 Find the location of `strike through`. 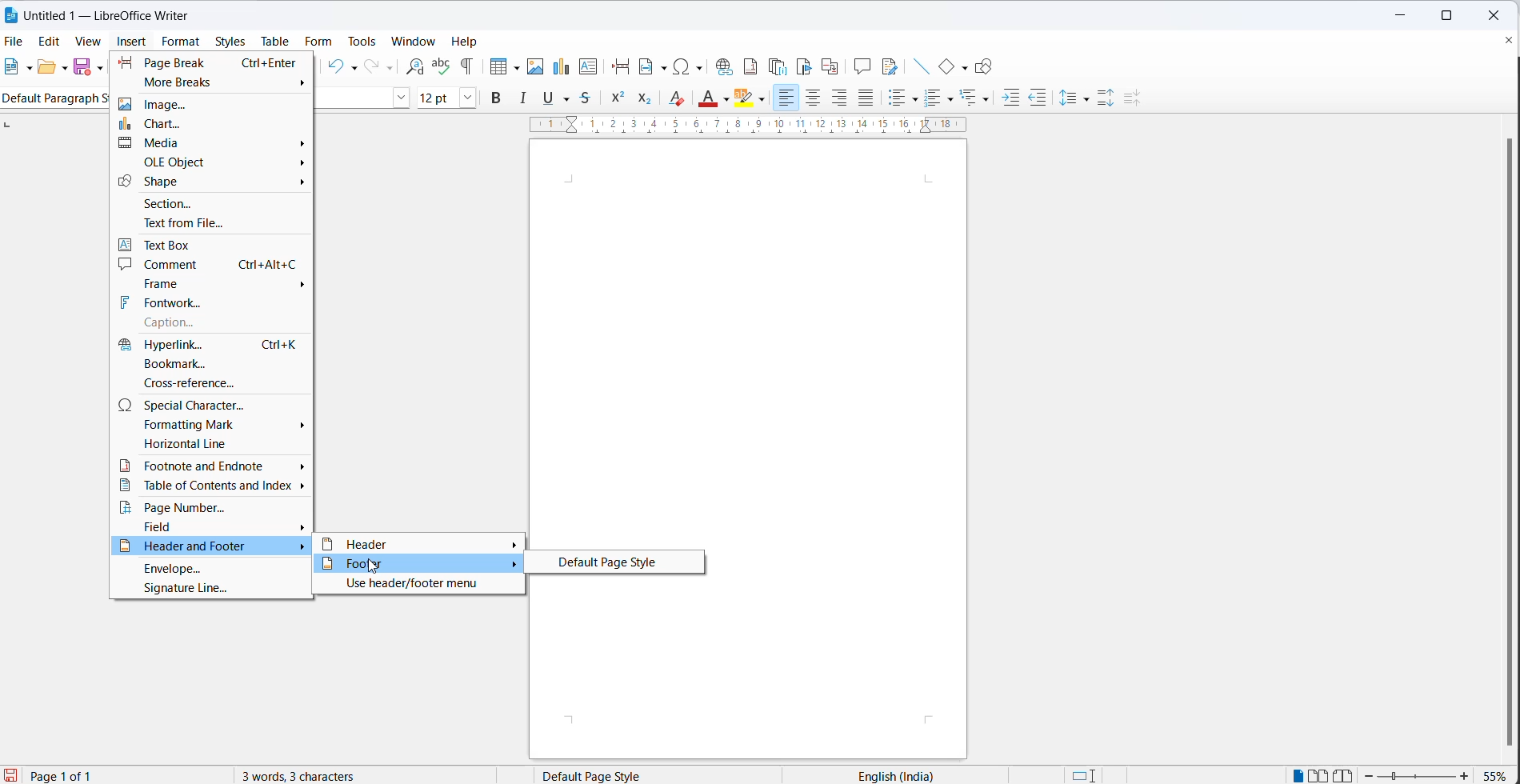

strike through is located at coordinates (569, 98).